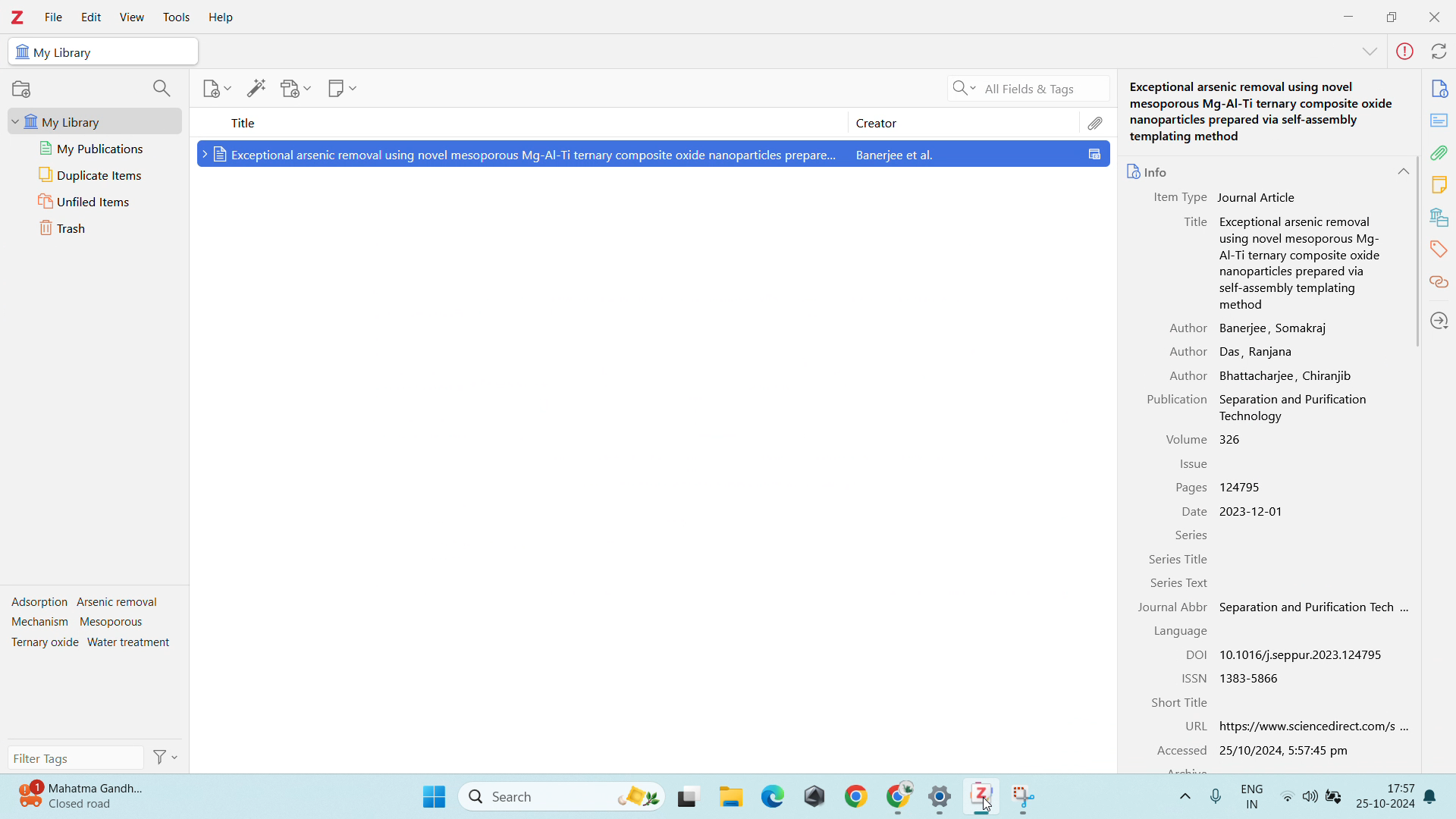 The width and height of the screenshot is (1456, 819). I want to click on tools, so click(176, 17).